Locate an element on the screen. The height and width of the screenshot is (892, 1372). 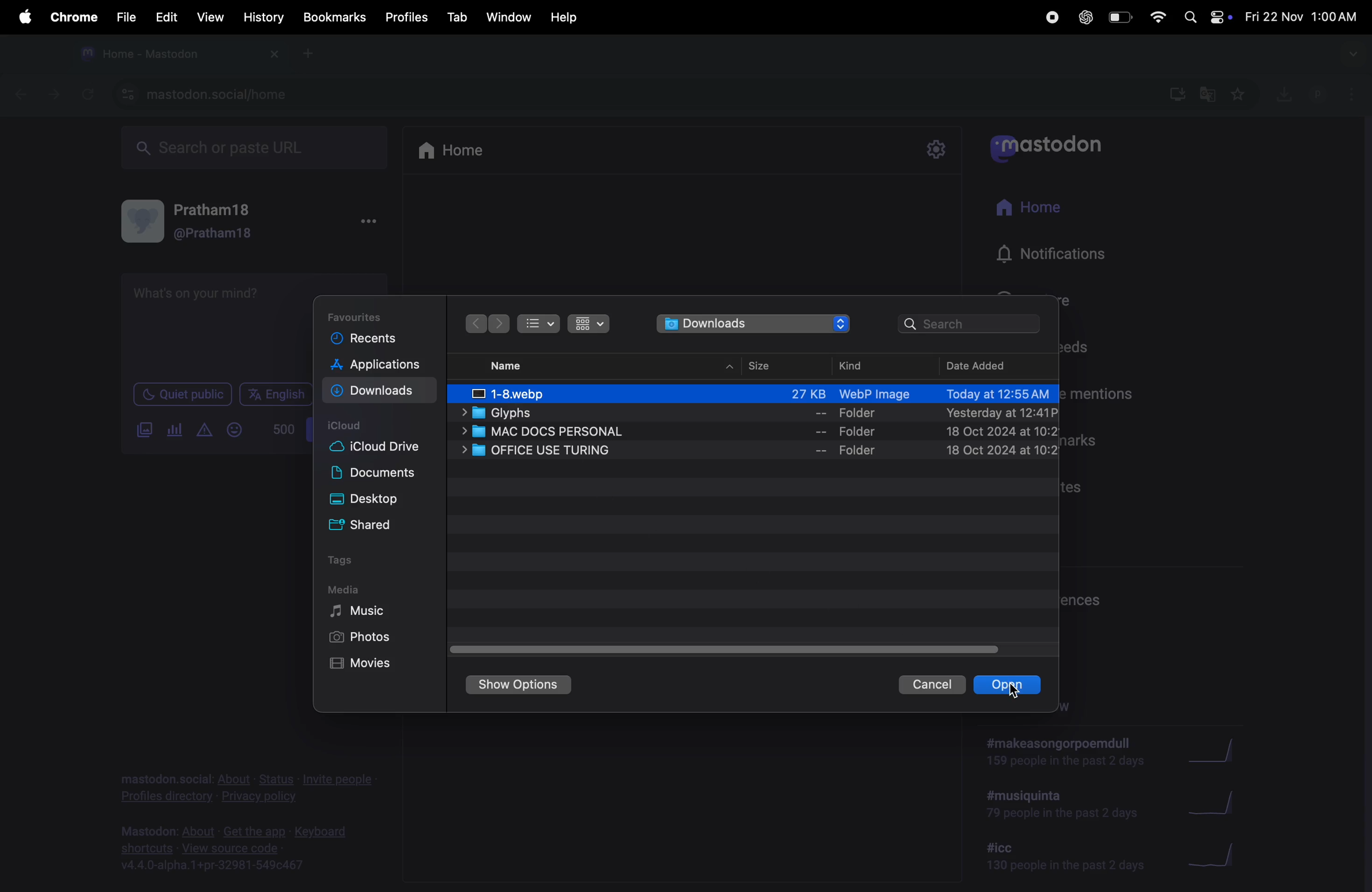
hashtags is located at coordinates (1049, 857).